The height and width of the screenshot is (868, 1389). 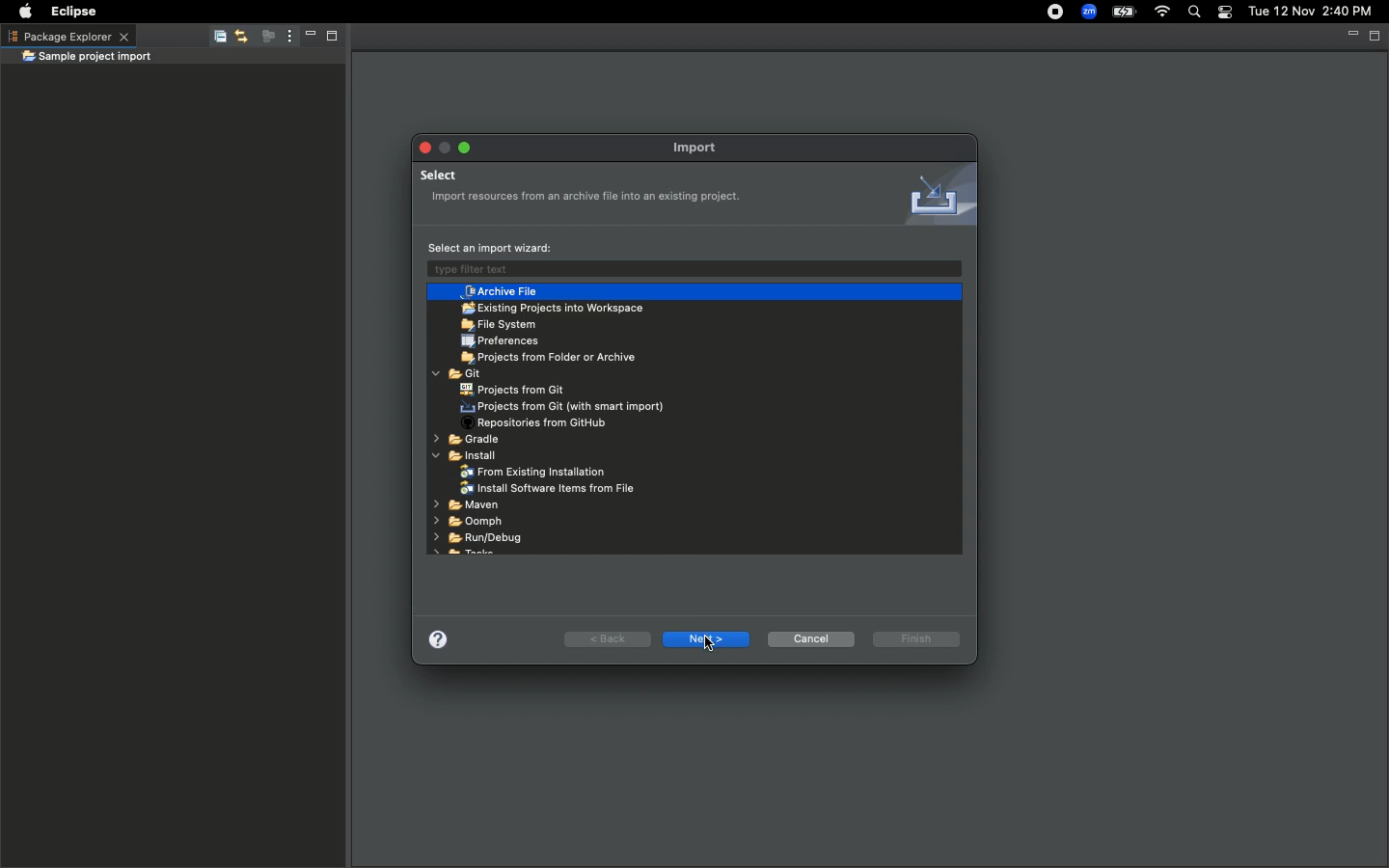 What do you see at coordinates (704, 147) in the screenshot?
I see `Import` at bounding box center [704, 147].